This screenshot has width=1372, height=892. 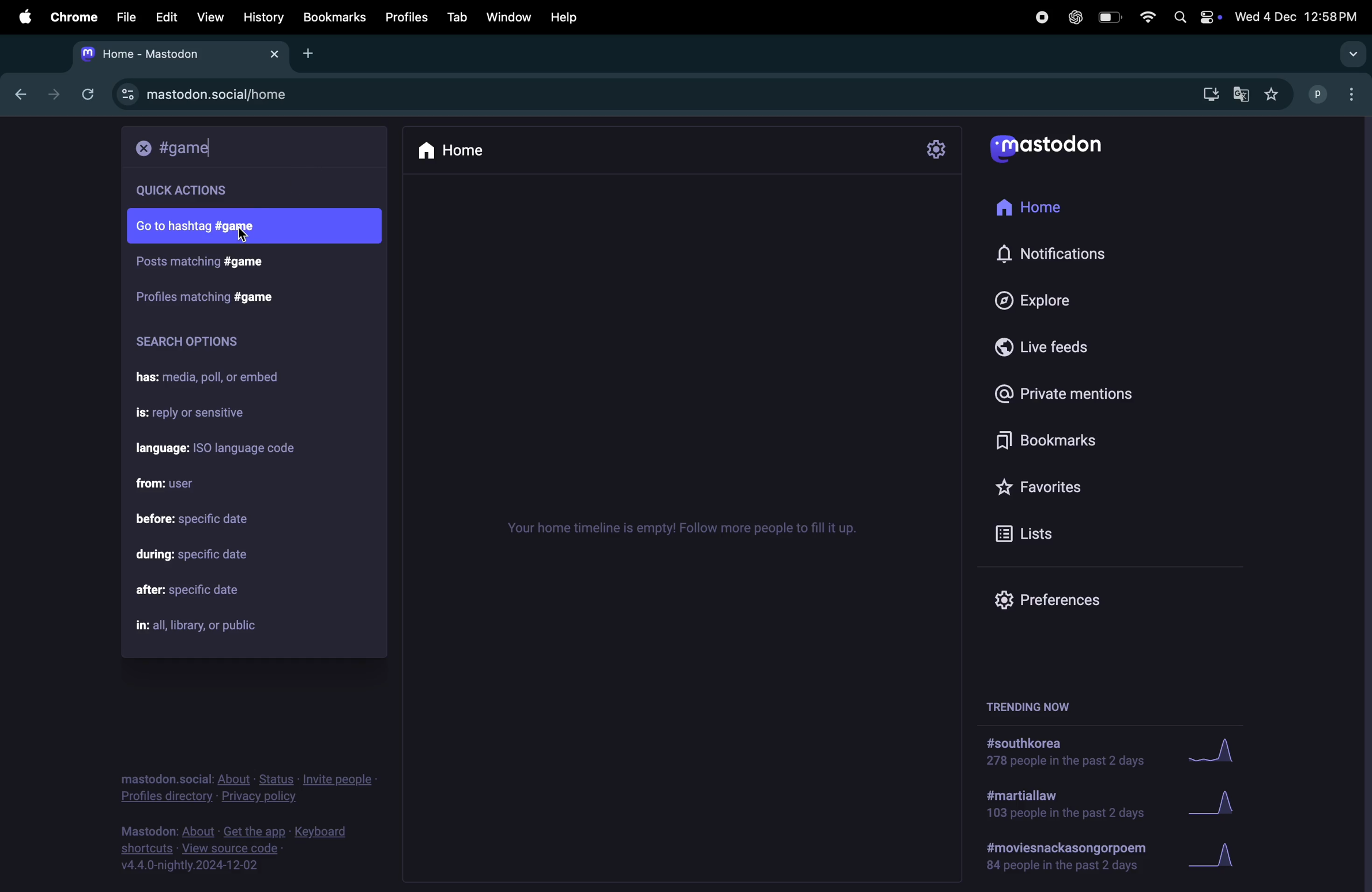 What do you see at coordinates (1081, 393) in the screenshot?
I see `private mentions` at bounding box center [1081, 393].